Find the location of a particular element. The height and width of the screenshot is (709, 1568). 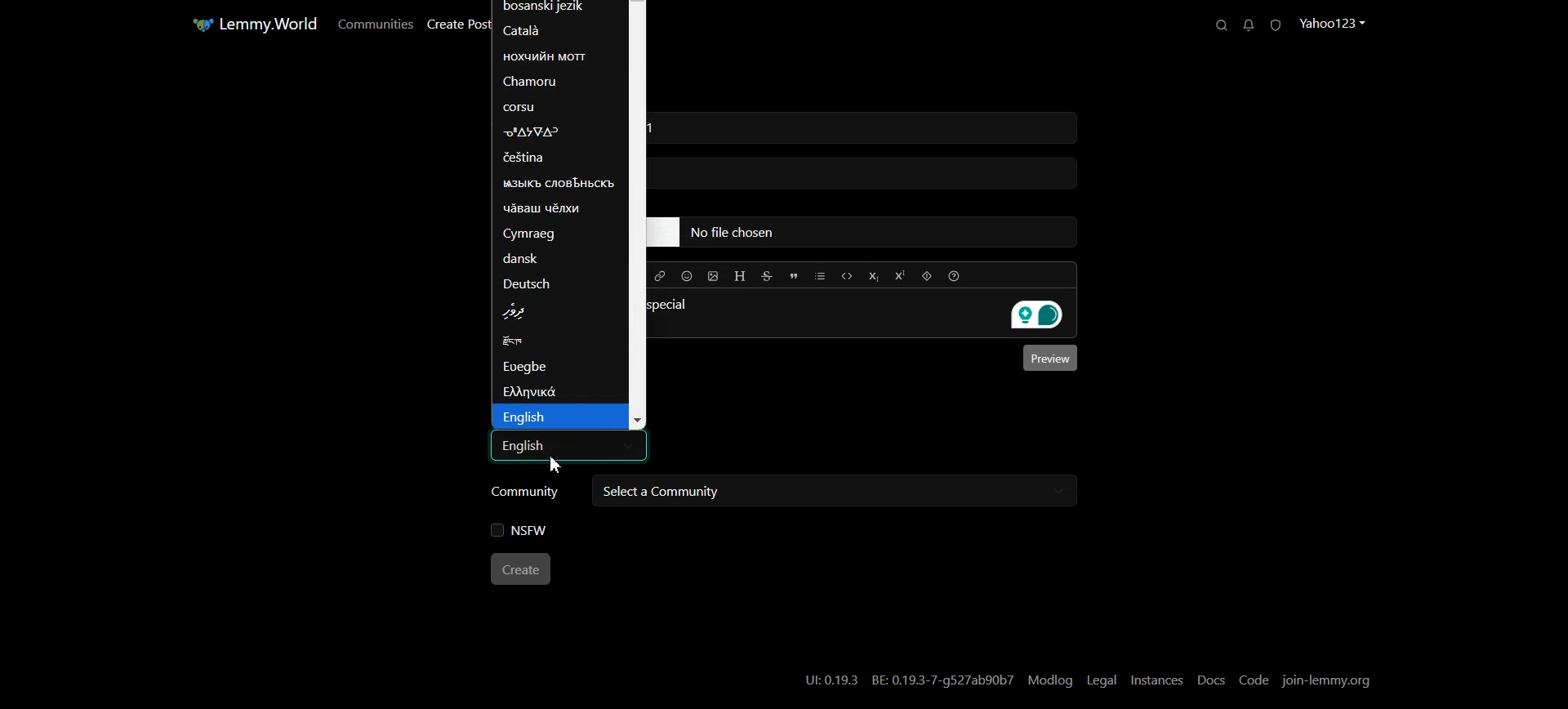

Typing window is located at coordinates (835, 361).